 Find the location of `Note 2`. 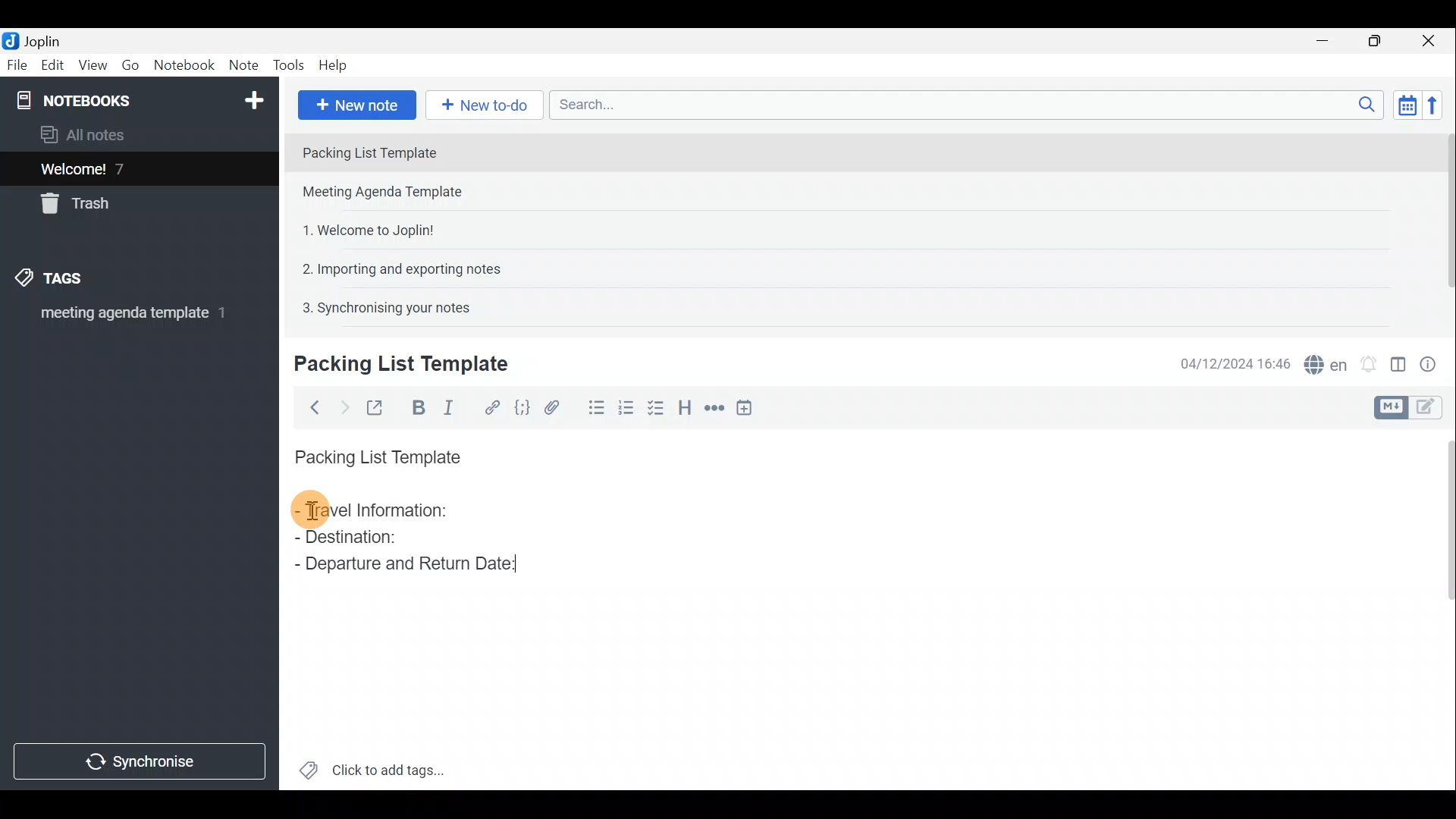

Note 2 is located at coordinates (397, 193).